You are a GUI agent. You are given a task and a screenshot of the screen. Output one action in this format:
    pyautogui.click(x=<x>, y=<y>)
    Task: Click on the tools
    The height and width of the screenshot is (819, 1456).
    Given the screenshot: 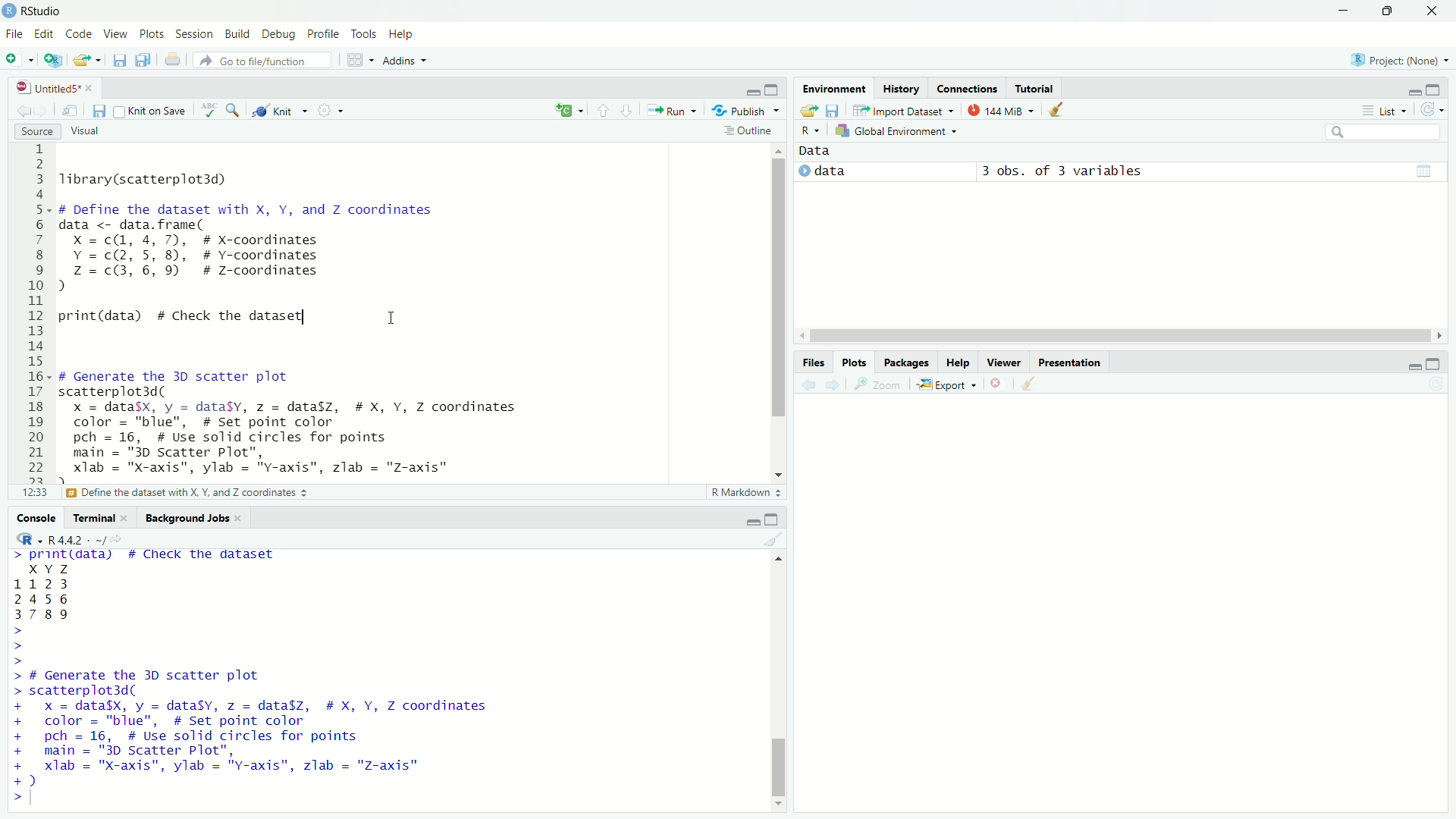 What is the action you would take?
    pyautogui.click(x=364, y=33)
    